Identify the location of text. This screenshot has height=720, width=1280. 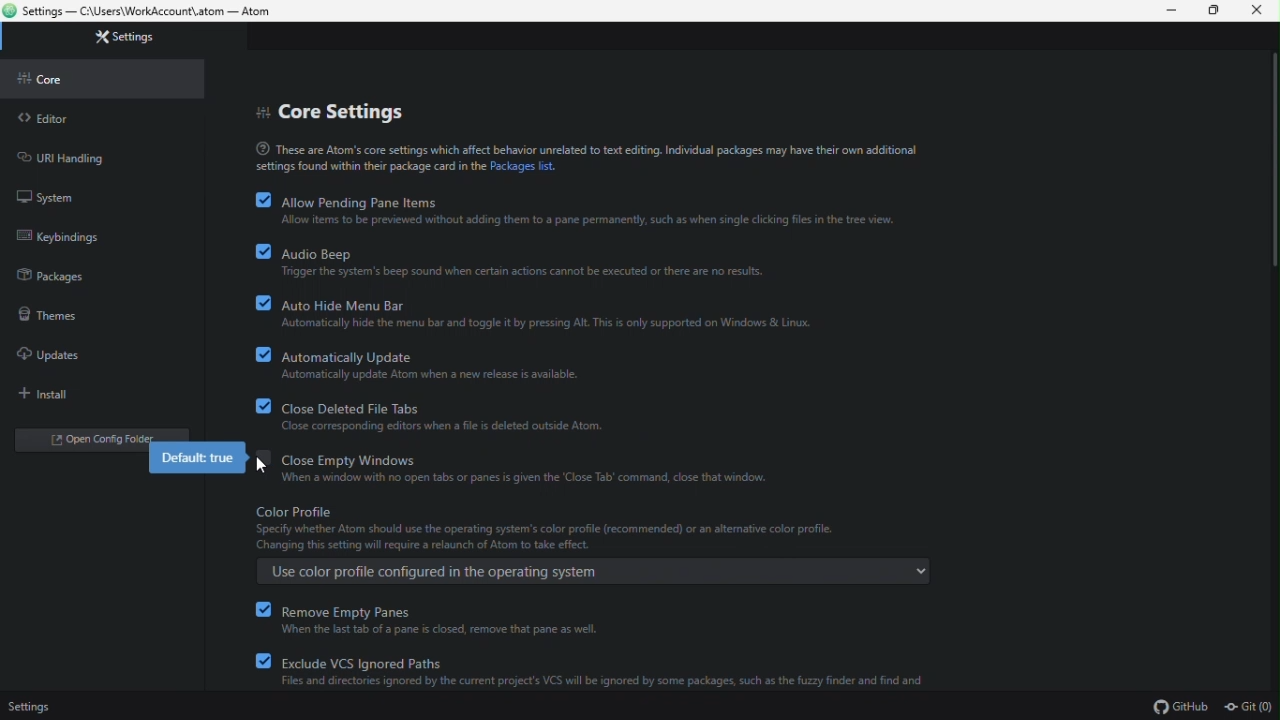
(584, 159).